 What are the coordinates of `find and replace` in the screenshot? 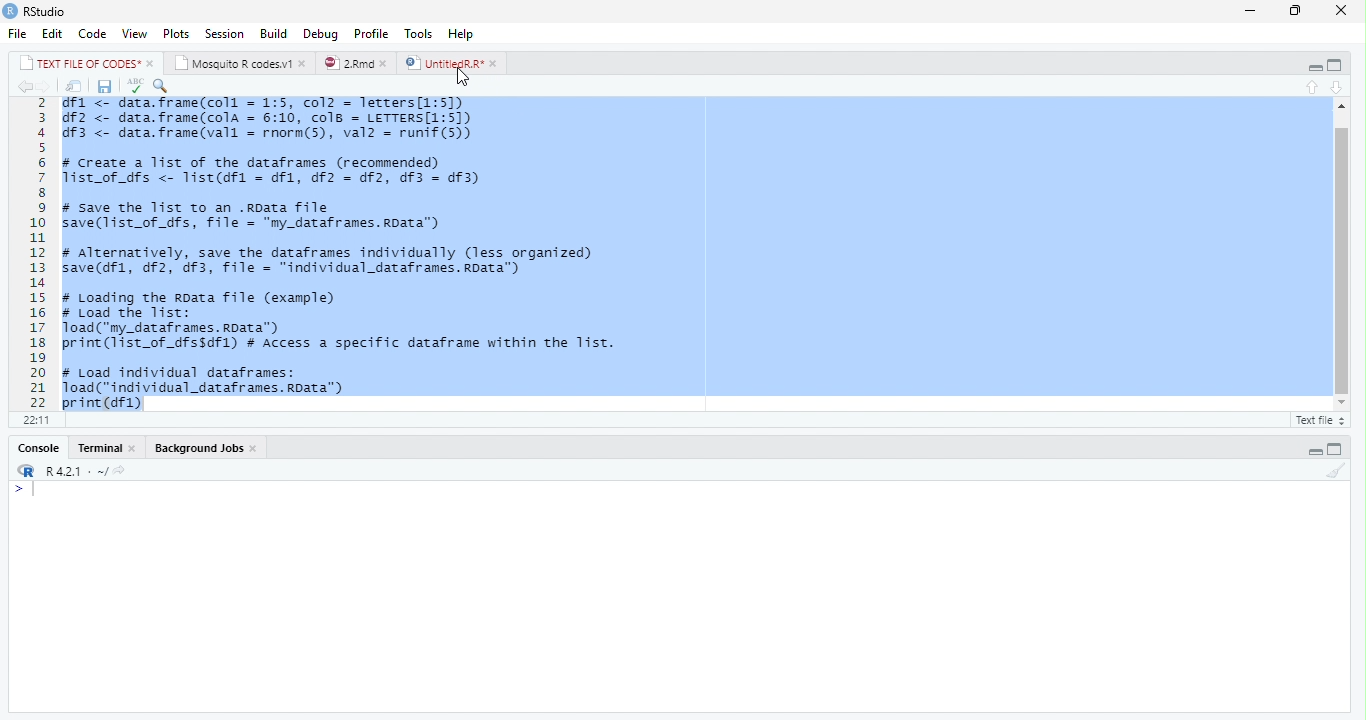 It's located at (163, 85).